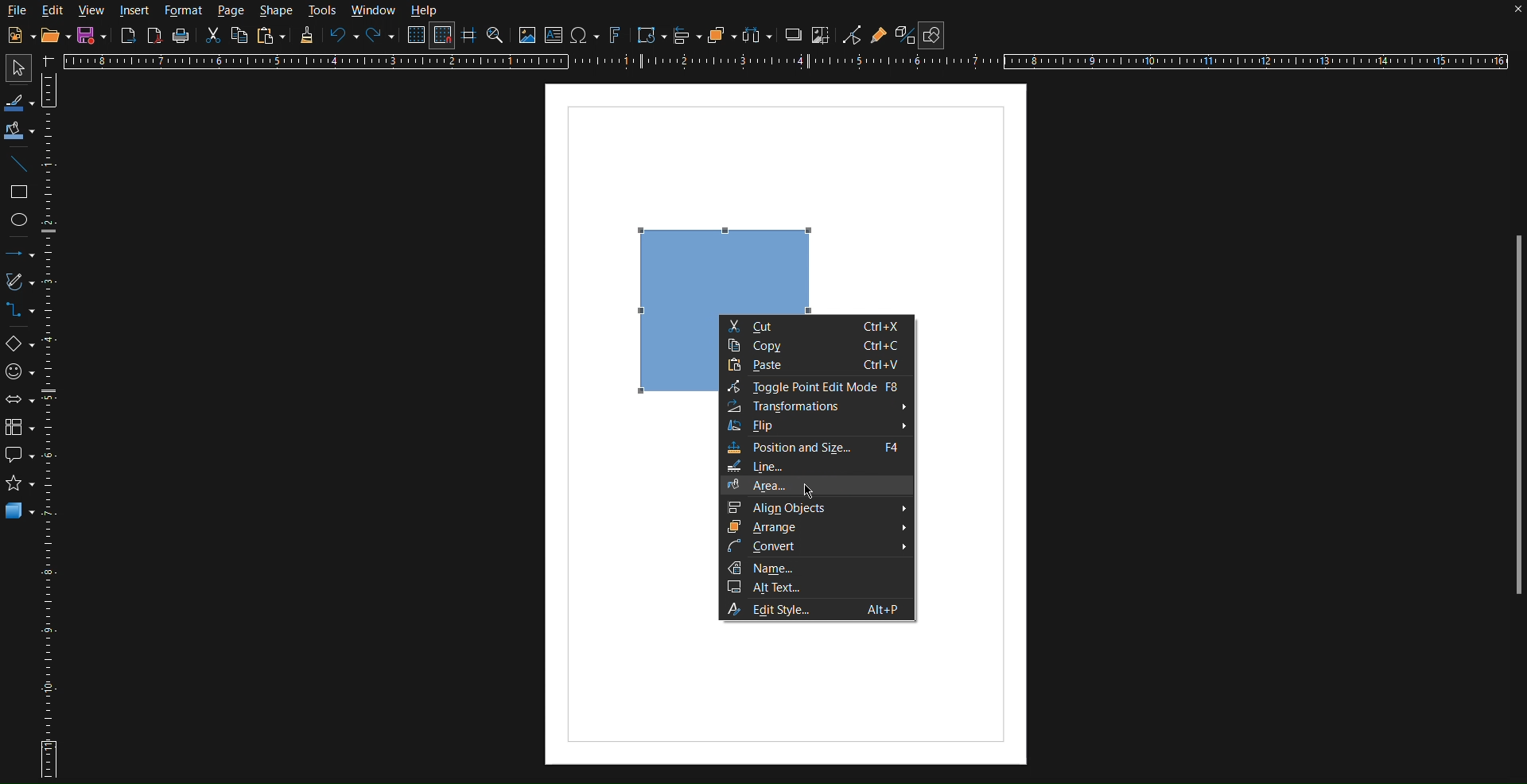 The width and height of the screenshot is (1527, 784). I want to click on Cut, so click(214, 39).